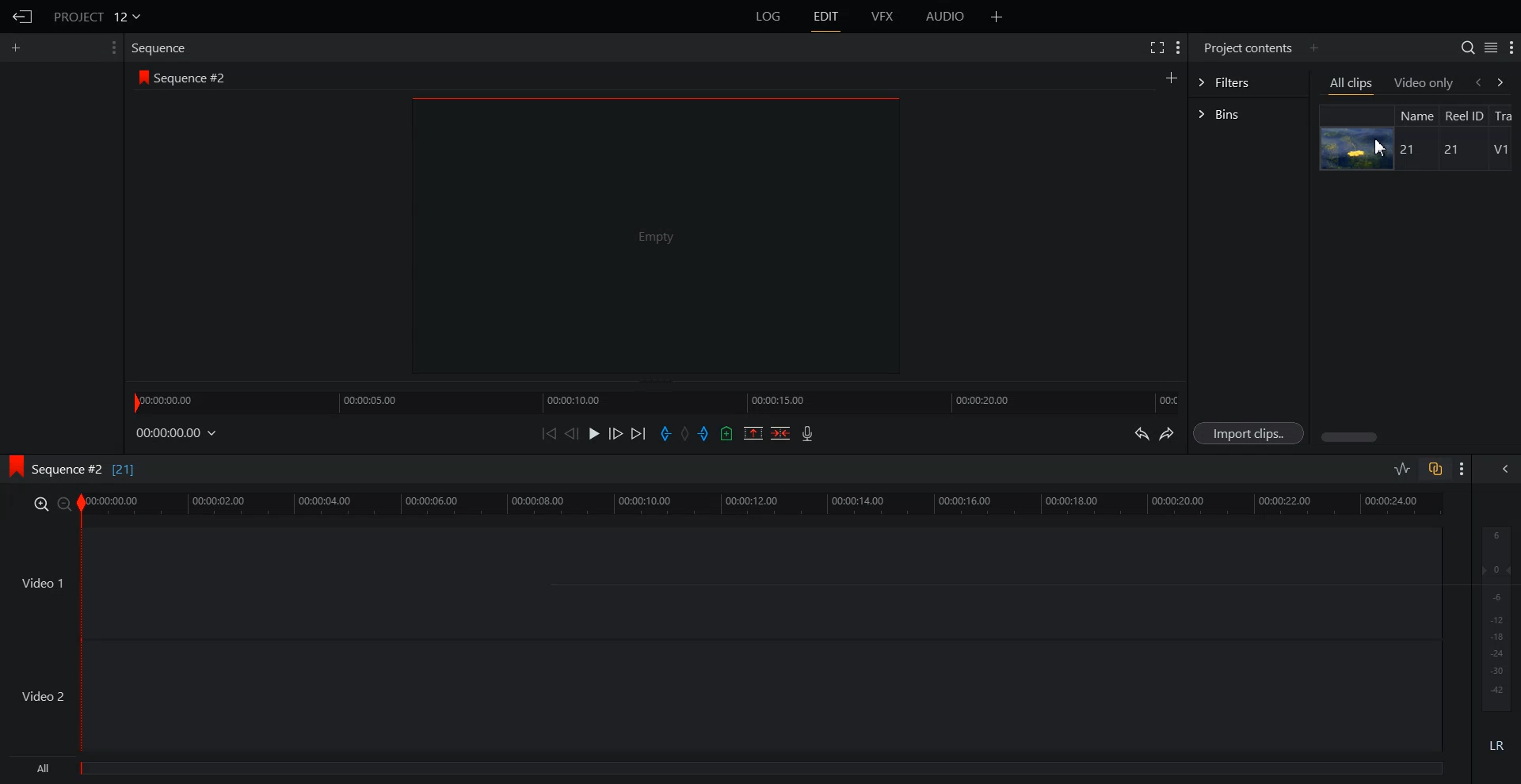  Describe the element at coordinates (1417, 437) in the screenshot. I see `Horizontal Scroll bar` at that location.